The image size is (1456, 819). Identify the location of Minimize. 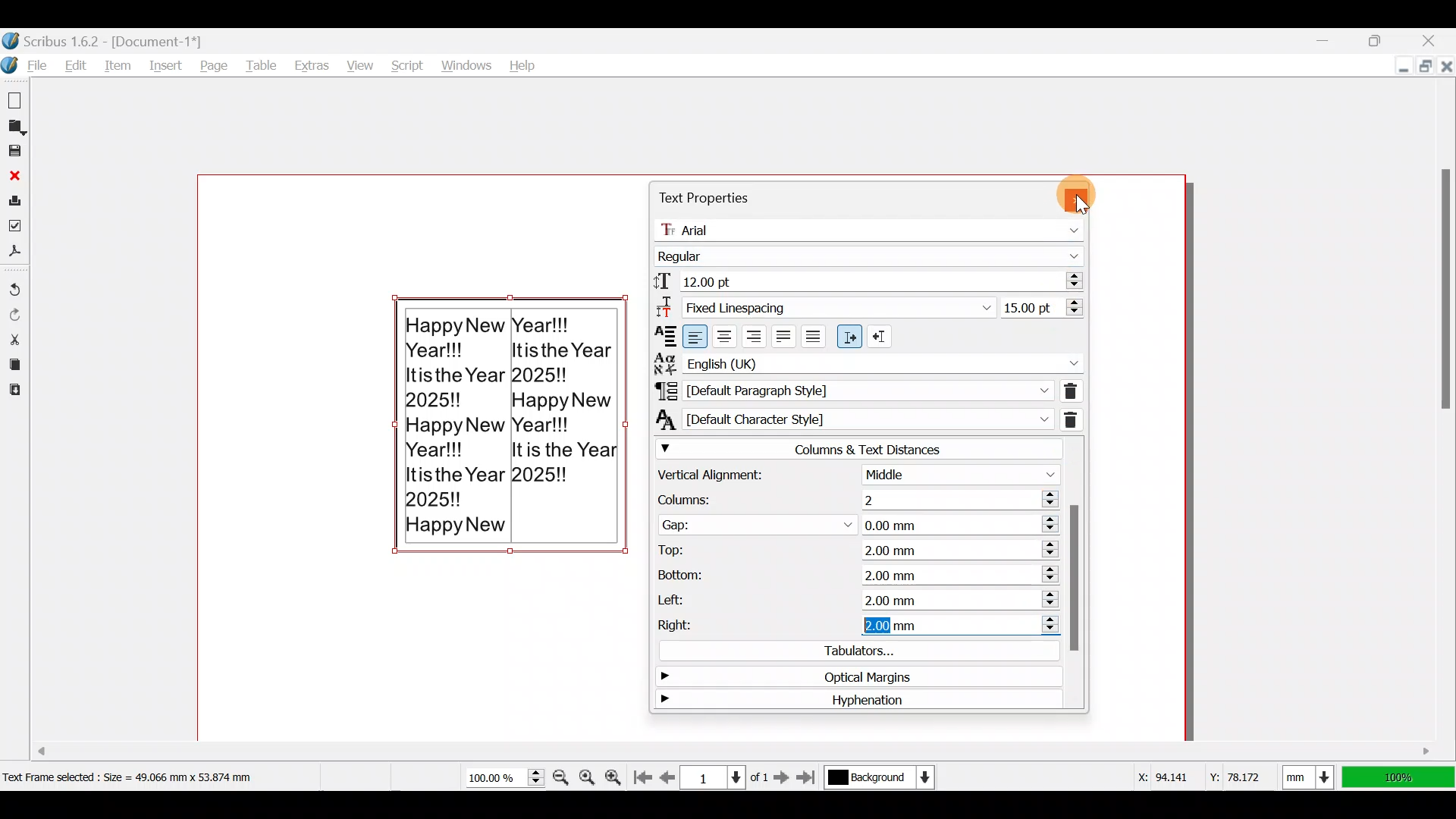
(1328, 40).